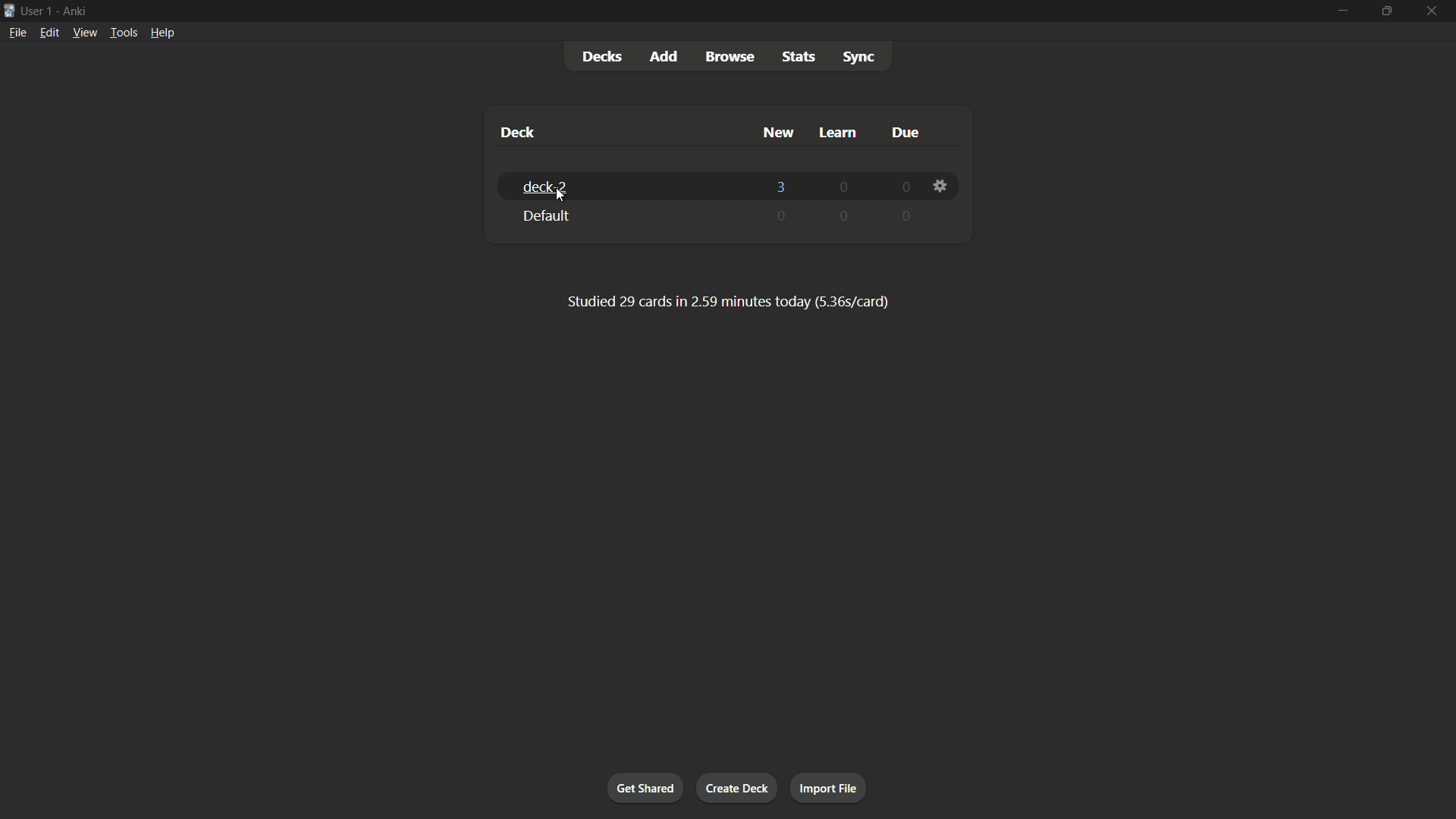 The height and width of the screenshot is (819, 1456). Describe the element at coordinates (39, 11) in the screenshot. I see `user 1` at that location.